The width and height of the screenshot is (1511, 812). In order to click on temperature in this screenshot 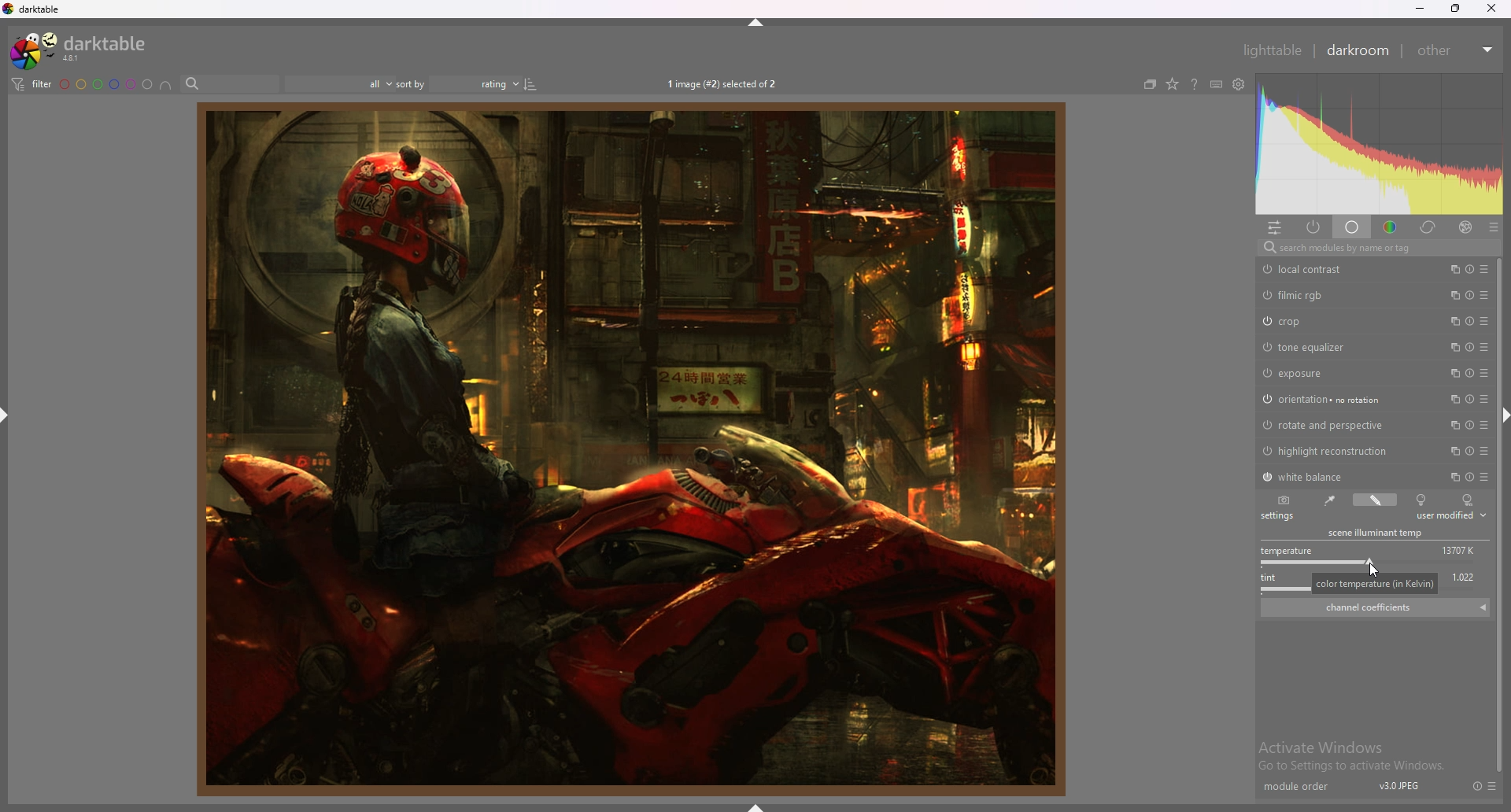, I will do `click(1287, 548)`.